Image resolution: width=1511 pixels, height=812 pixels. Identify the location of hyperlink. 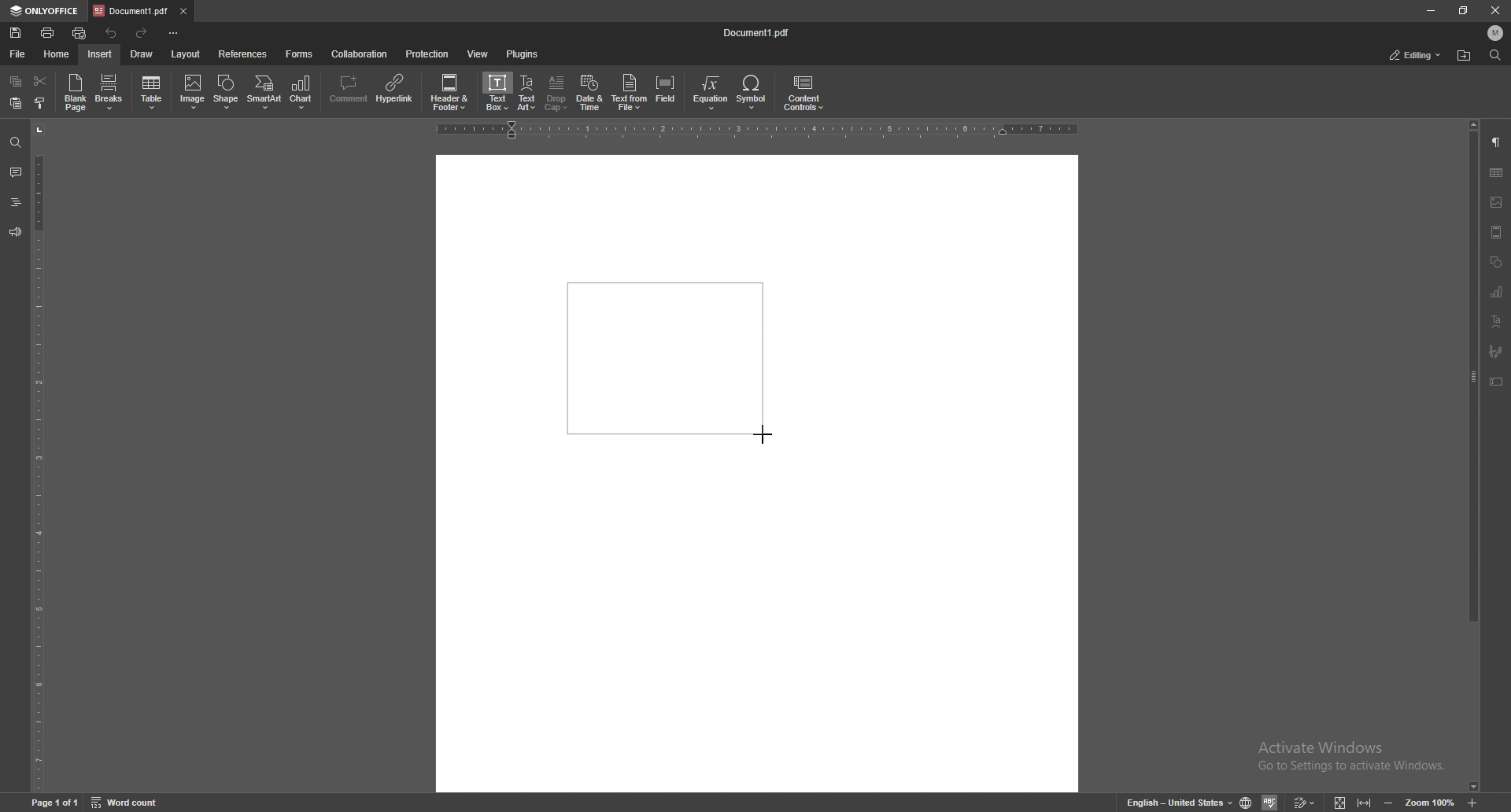
(397, 89).